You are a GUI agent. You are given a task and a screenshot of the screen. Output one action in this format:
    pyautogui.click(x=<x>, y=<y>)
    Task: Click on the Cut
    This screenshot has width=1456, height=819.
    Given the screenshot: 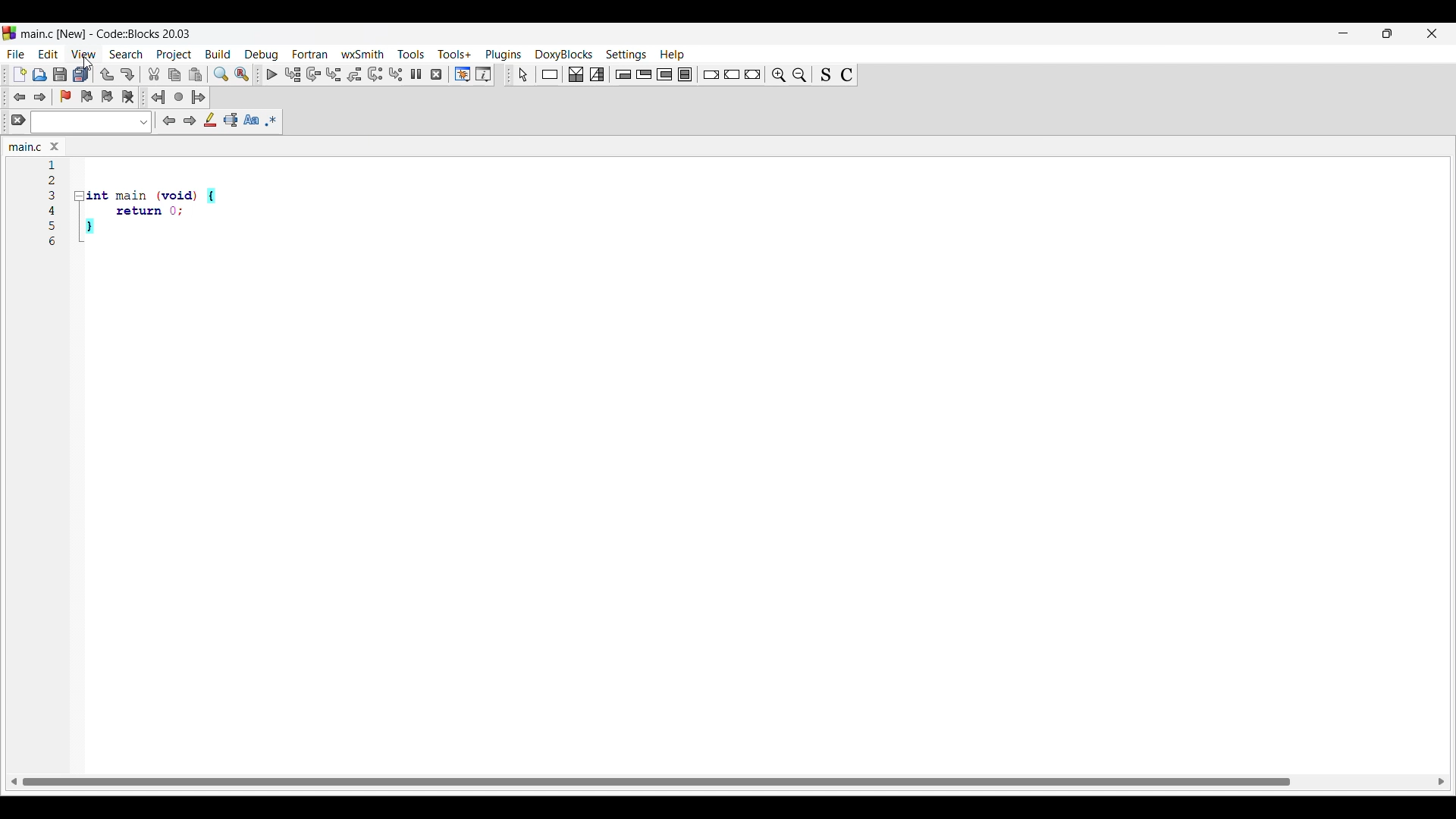 What is the action you would take?
    pyautogui.click(x=153, y=74)
    